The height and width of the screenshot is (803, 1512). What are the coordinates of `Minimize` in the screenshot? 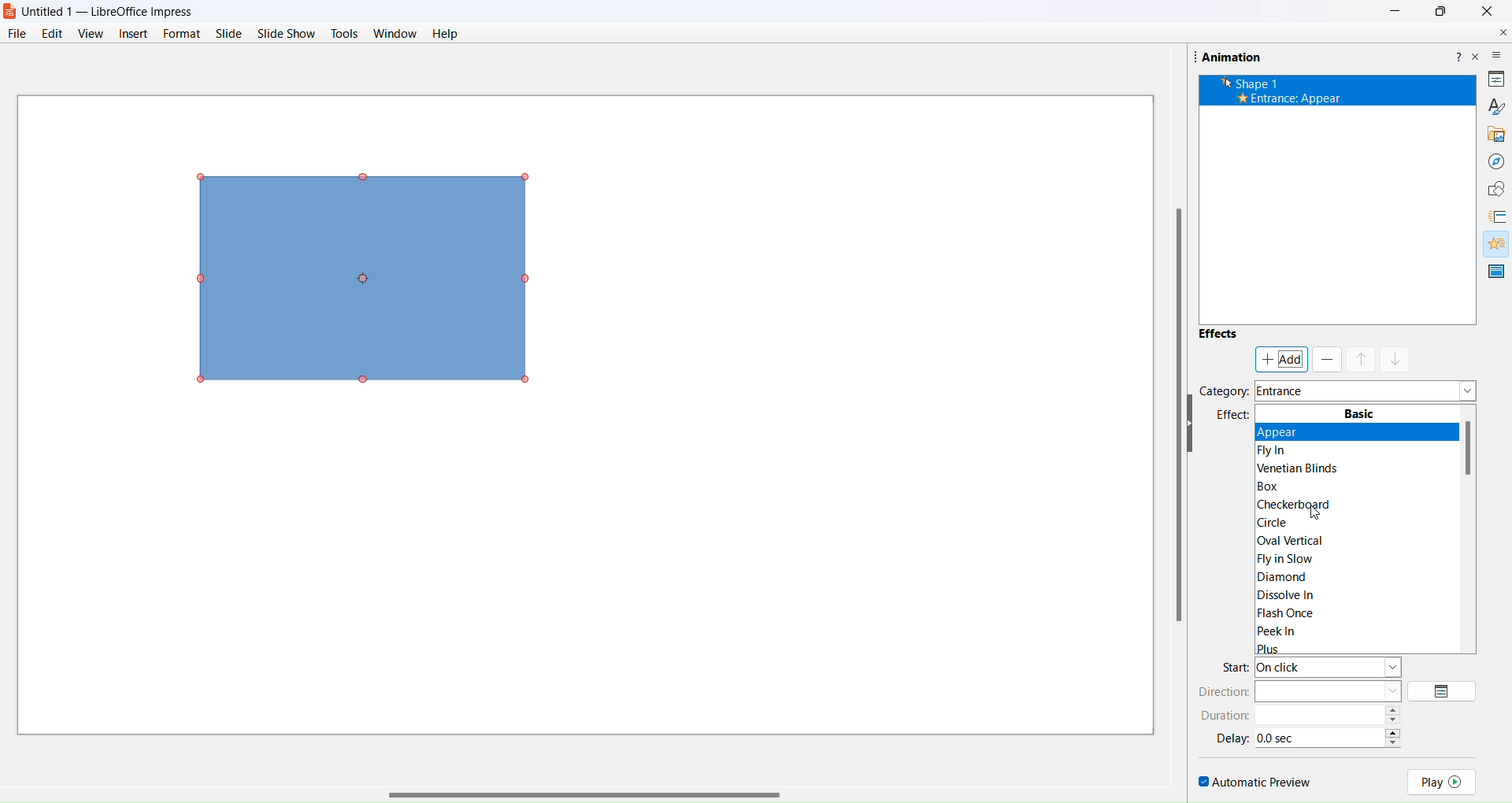 It's located at (1392, 13).